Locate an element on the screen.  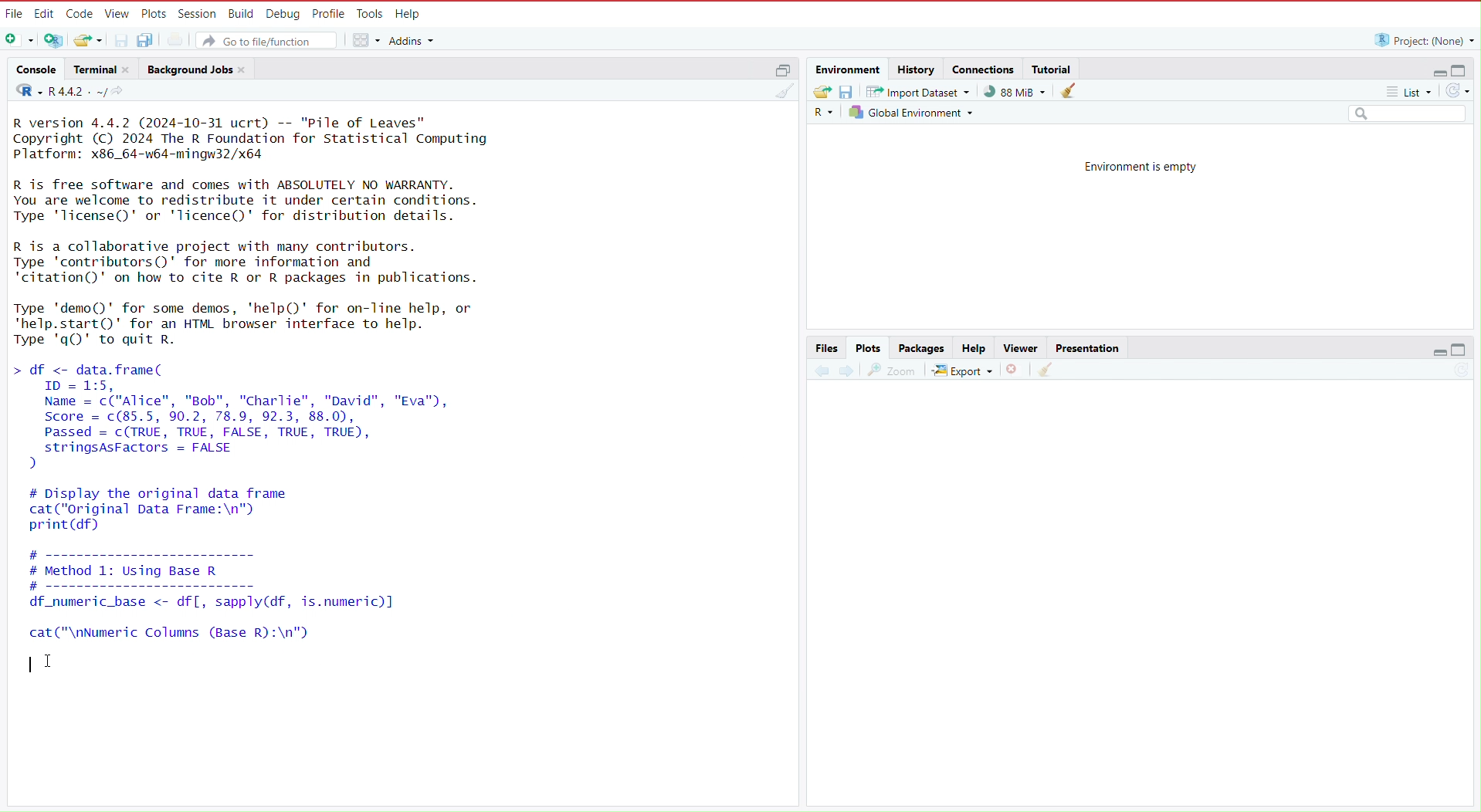
Edit is located at coordinates (44, 11).